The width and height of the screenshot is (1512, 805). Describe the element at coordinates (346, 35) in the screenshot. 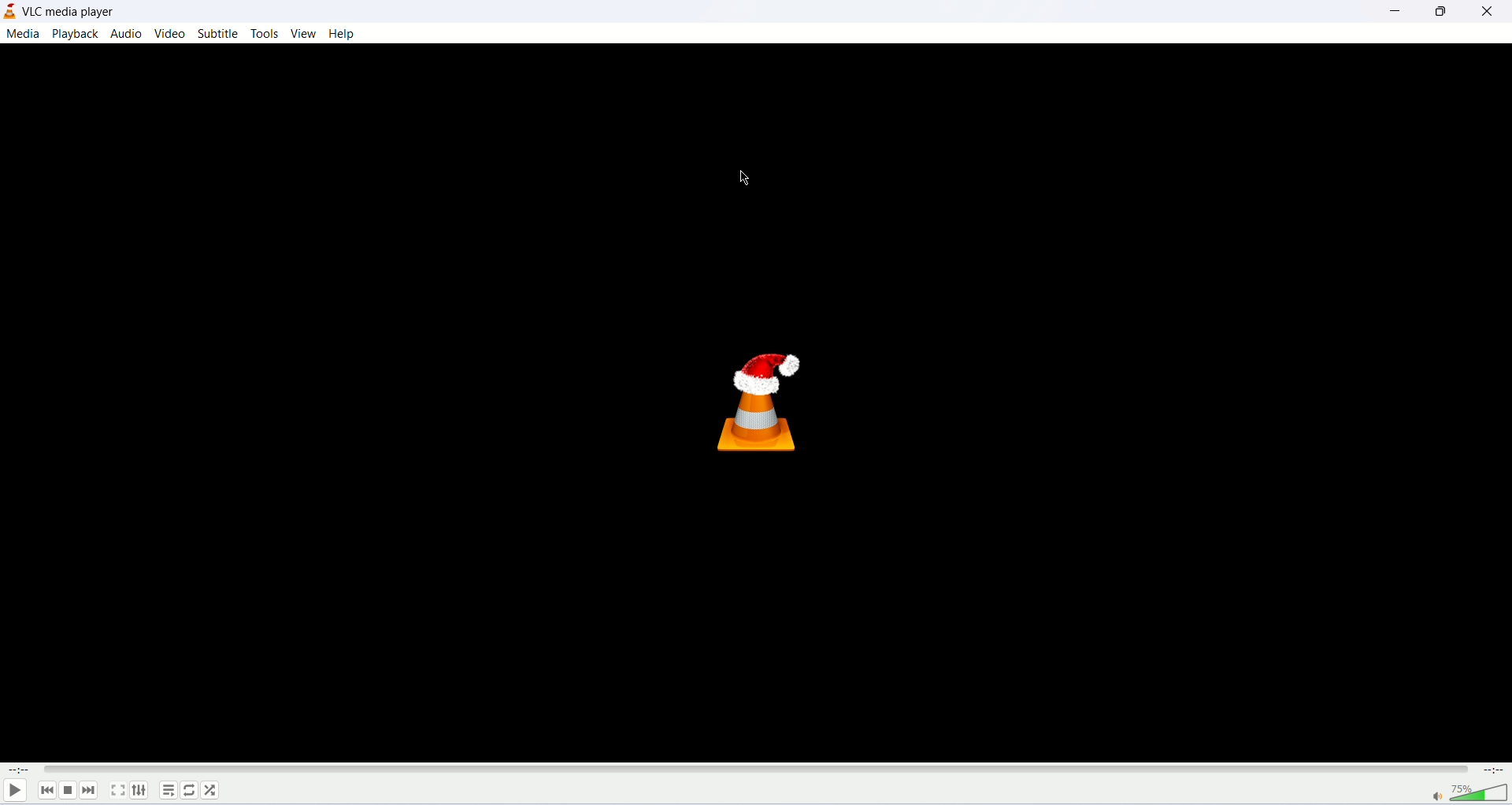

I see `help` at that location.